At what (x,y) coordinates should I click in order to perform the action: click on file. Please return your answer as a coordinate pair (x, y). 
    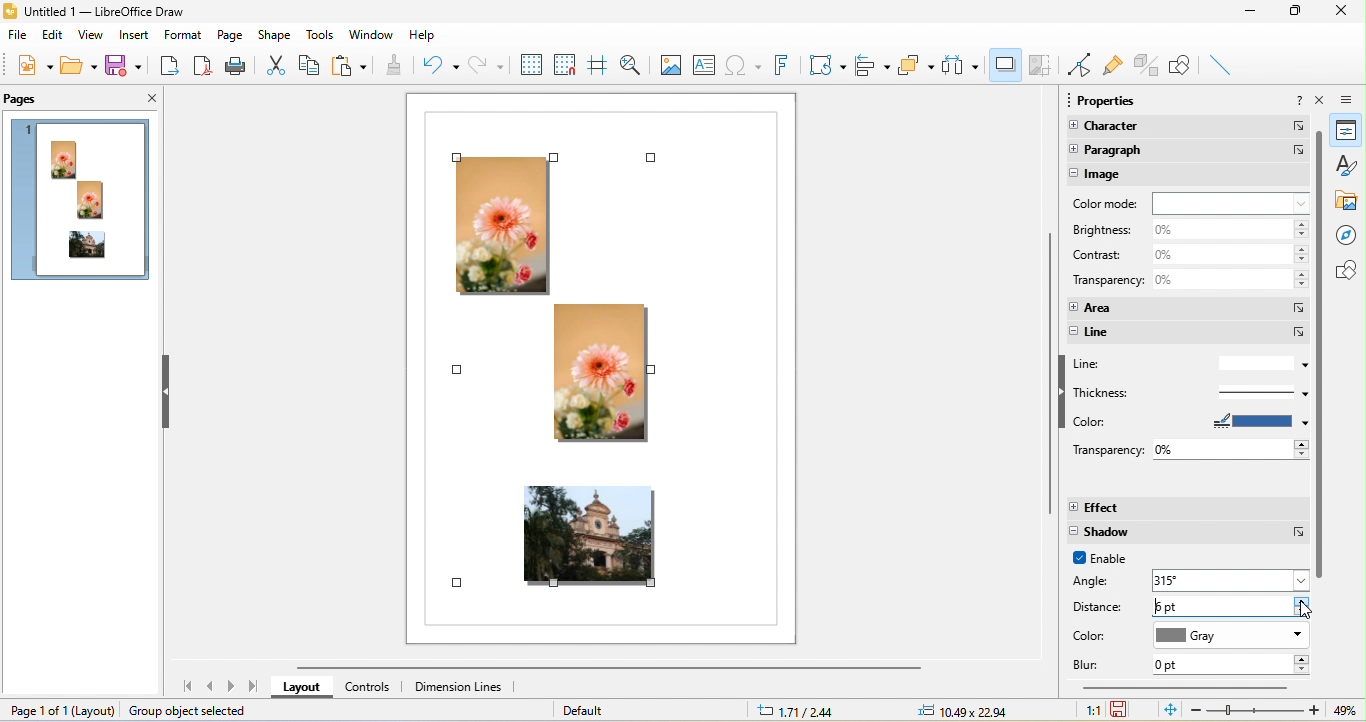
    Looking at the image, I should click on (16, 37).